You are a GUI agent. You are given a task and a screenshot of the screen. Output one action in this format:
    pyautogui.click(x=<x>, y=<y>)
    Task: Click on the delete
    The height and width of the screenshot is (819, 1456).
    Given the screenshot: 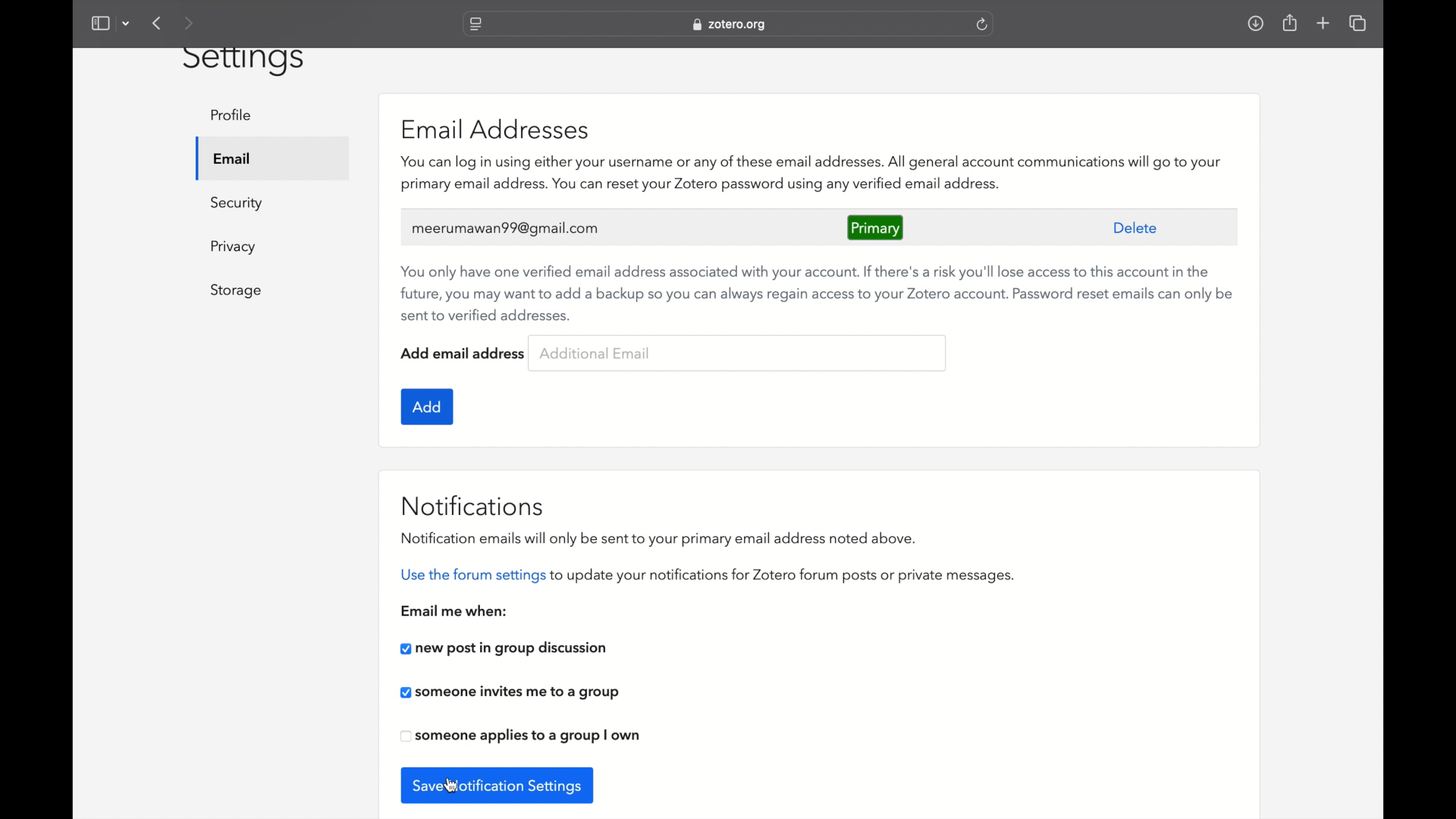 What is the action you would take?
    pyautogui.click(x=1135, y=227)
    